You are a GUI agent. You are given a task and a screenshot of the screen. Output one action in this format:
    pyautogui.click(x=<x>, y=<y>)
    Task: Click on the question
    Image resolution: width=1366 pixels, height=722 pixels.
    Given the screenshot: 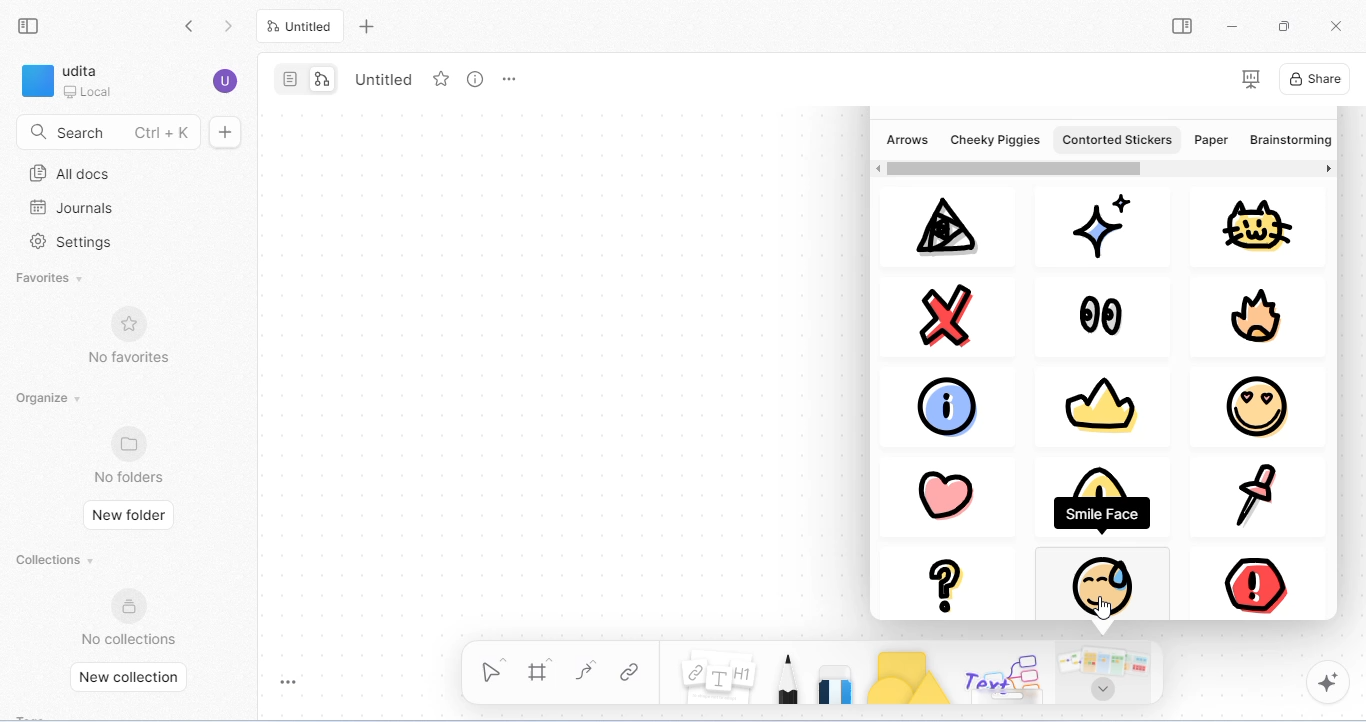 What is the action you would take?
    pyautogui.click(x=949, y=583)
    